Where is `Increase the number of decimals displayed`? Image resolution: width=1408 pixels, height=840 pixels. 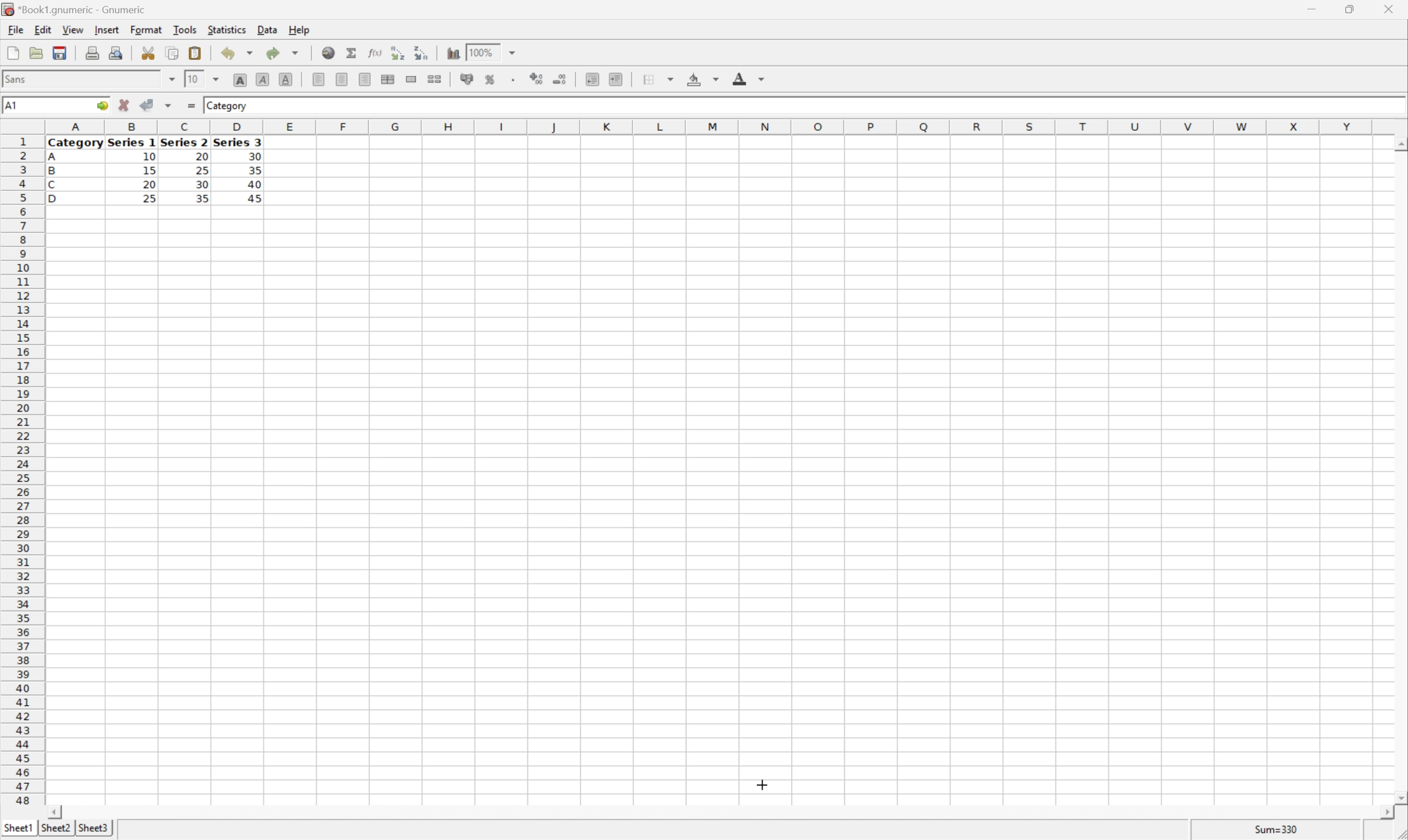
Increase the number of decimals displayed is located at coordinates (538, 79).